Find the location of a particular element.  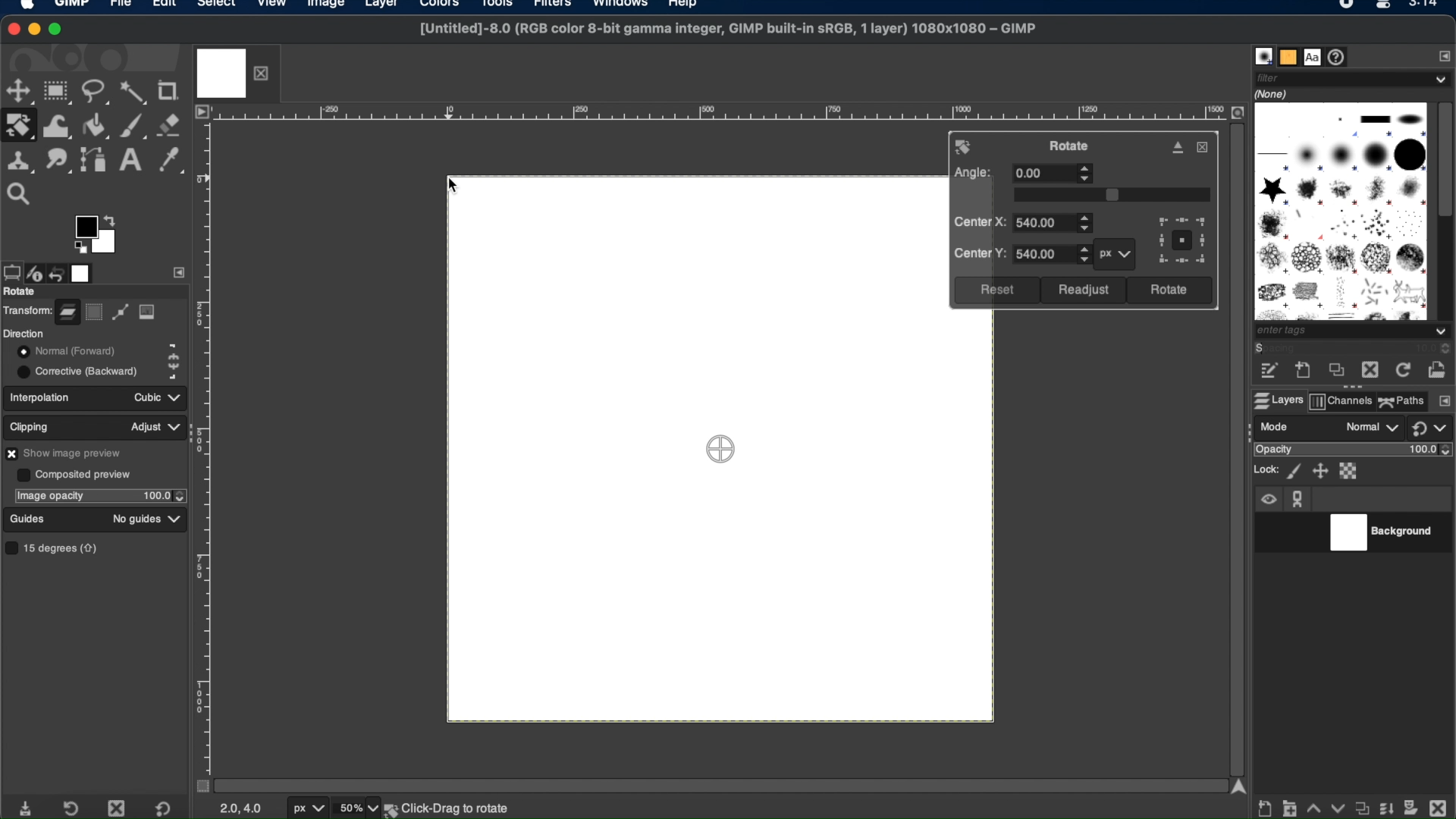

margin is located at coordinates (207, 444).